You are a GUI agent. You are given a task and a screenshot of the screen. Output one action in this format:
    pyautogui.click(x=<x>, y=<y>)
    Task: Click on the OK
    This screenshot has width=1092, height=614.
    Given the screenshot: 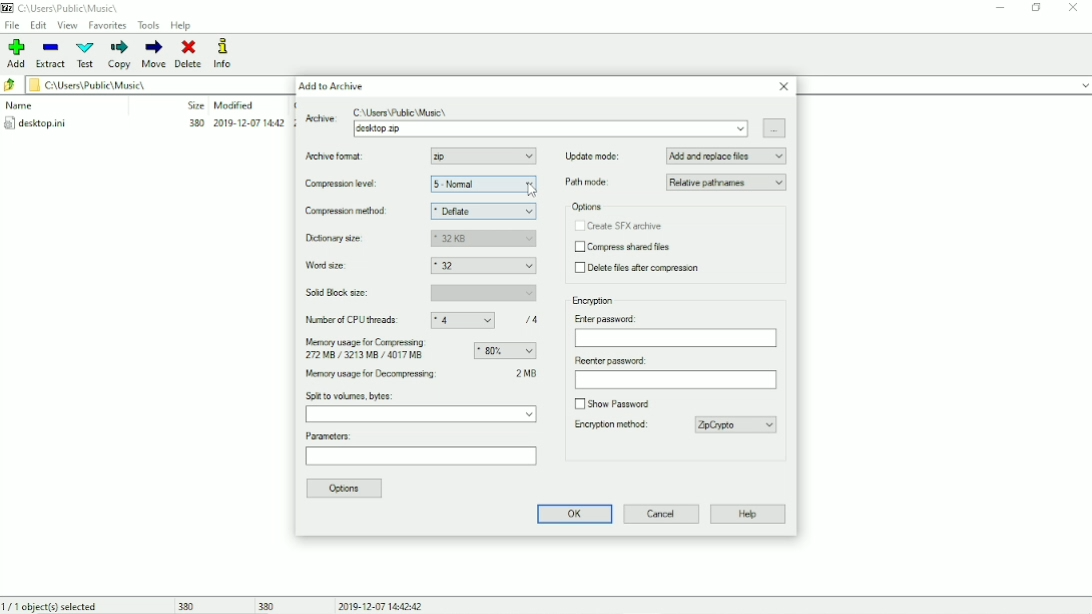 What is the action you would take?
    pyautogui.click(x=572, y=514)
    